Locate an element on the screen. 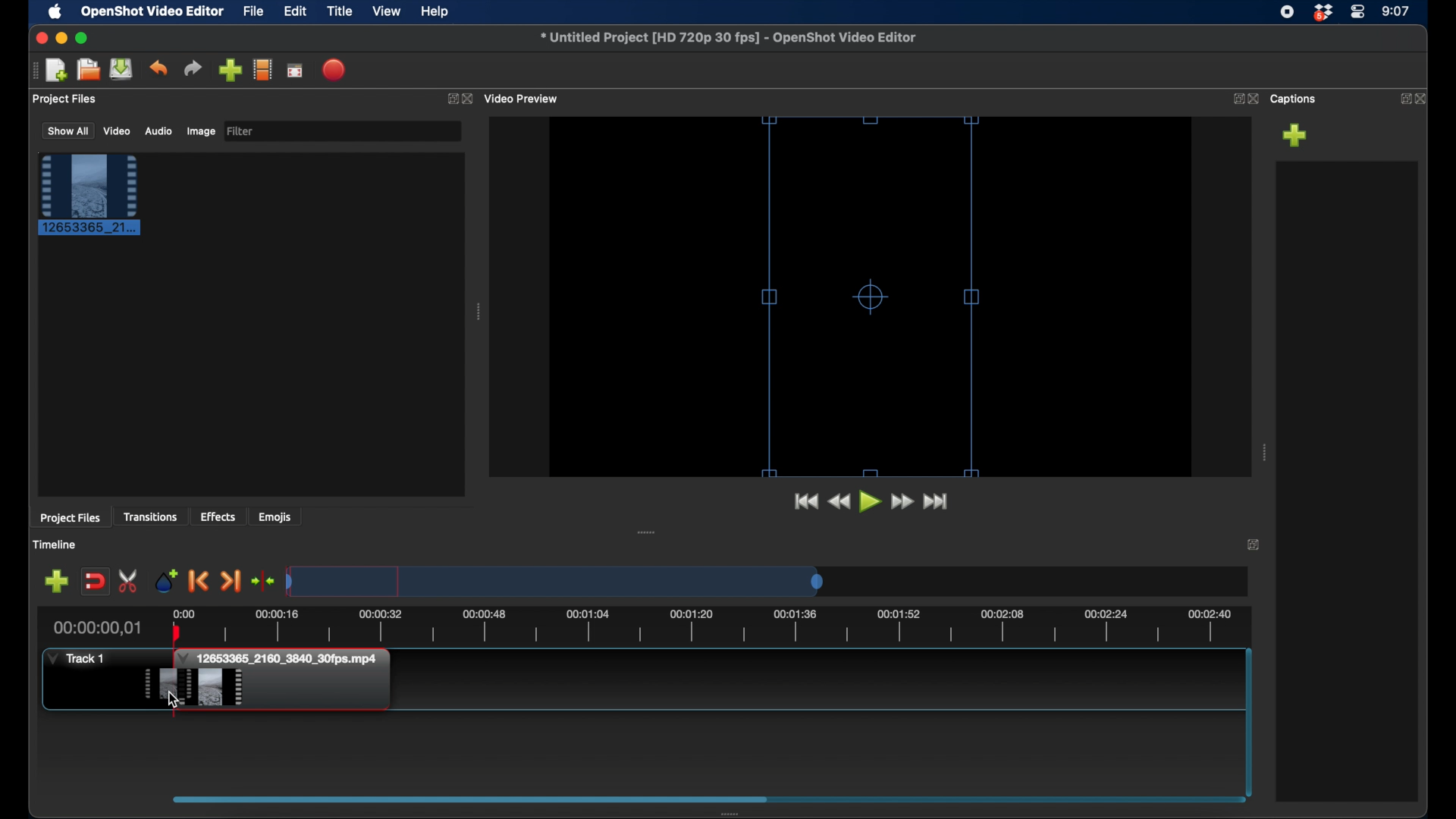 The height and width of the screenshot is (819, 1456). cursor is located at coordinates (173, 701).